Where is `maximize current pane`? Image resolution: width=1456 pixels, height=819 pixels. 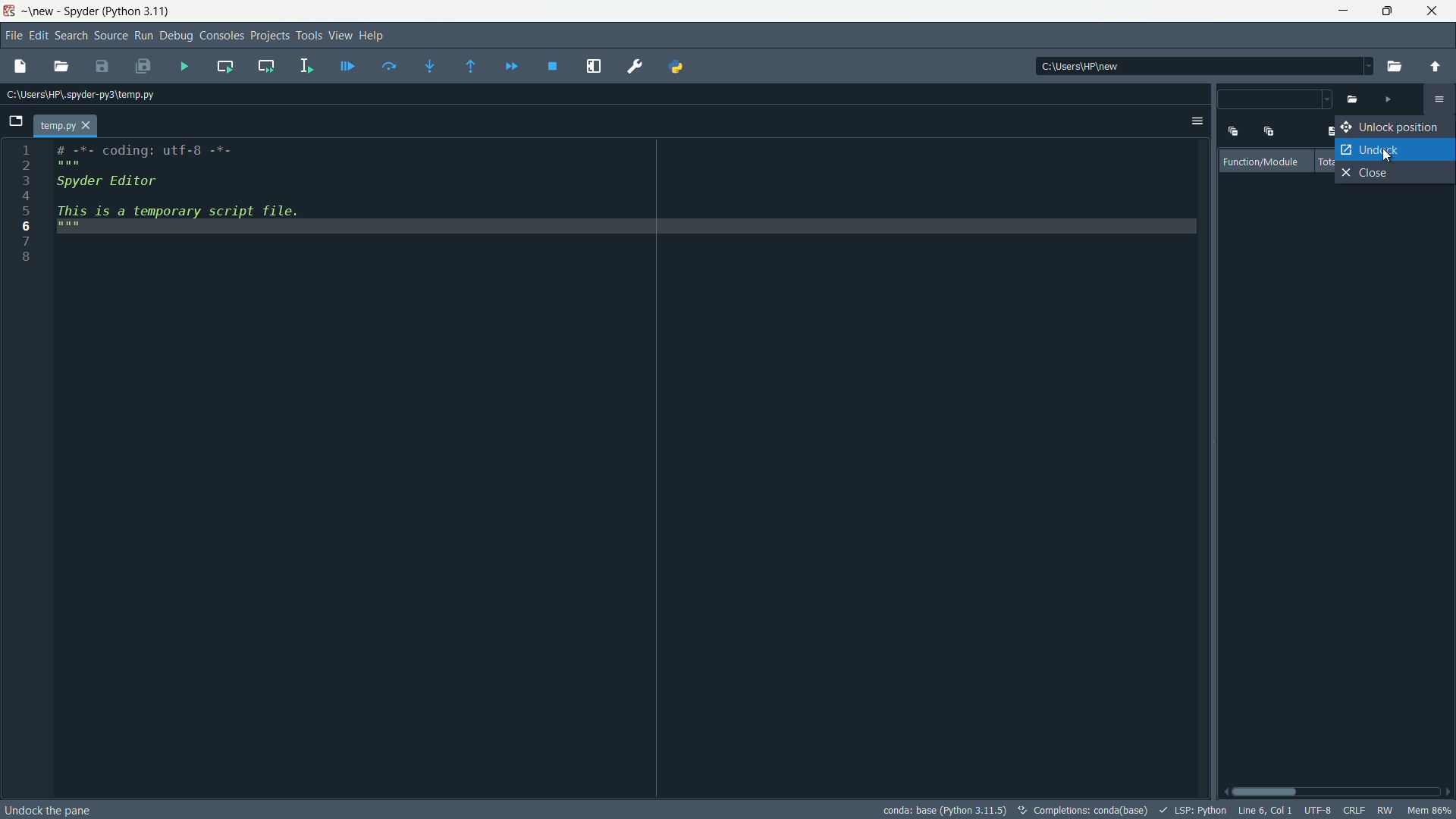 maximize current pane is located at coordinates (594, 66).